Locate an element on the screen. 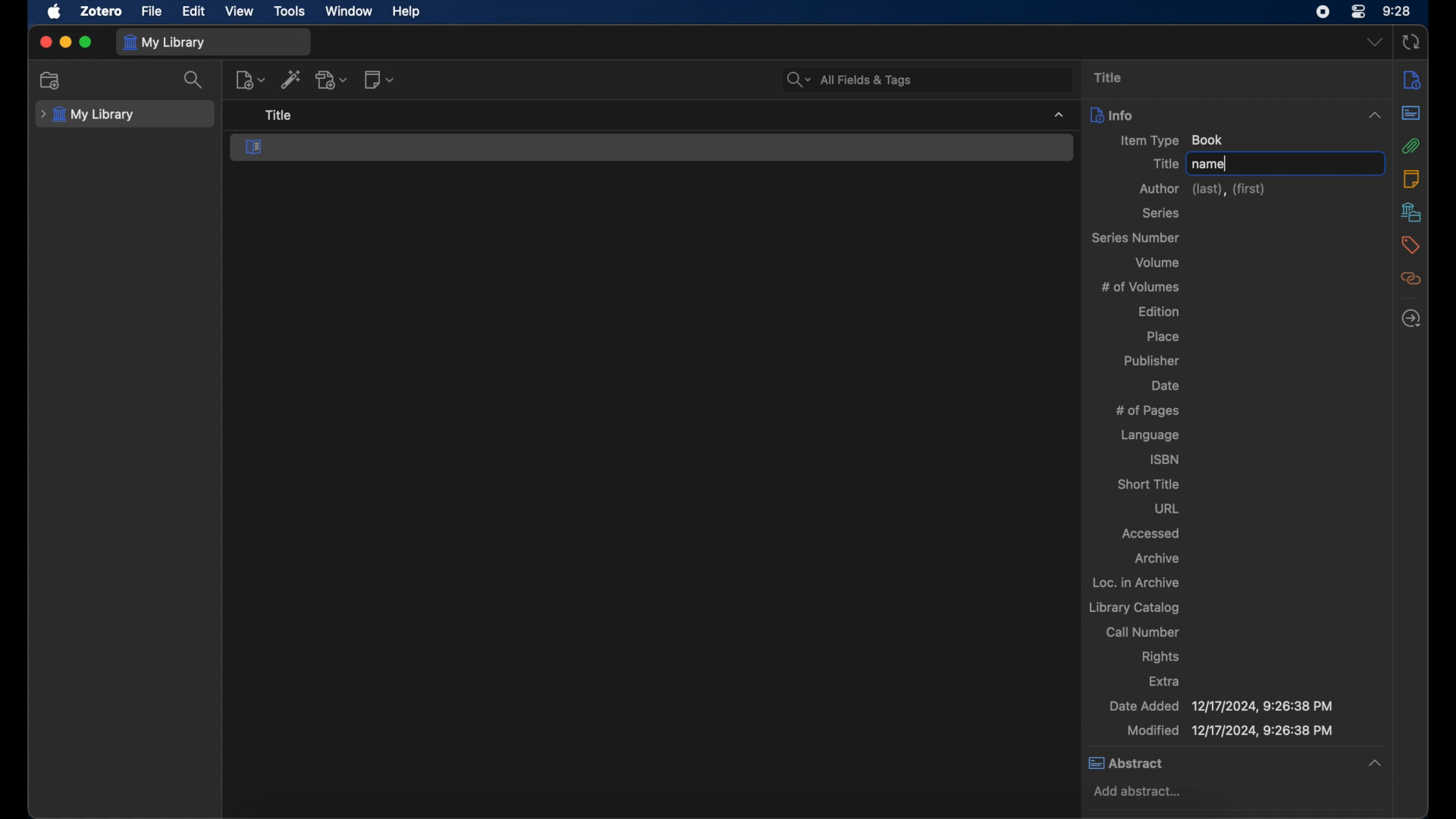 The height and width of the screenshot is (819, 1456). no of volumes is located at coordinates (1143, 287).